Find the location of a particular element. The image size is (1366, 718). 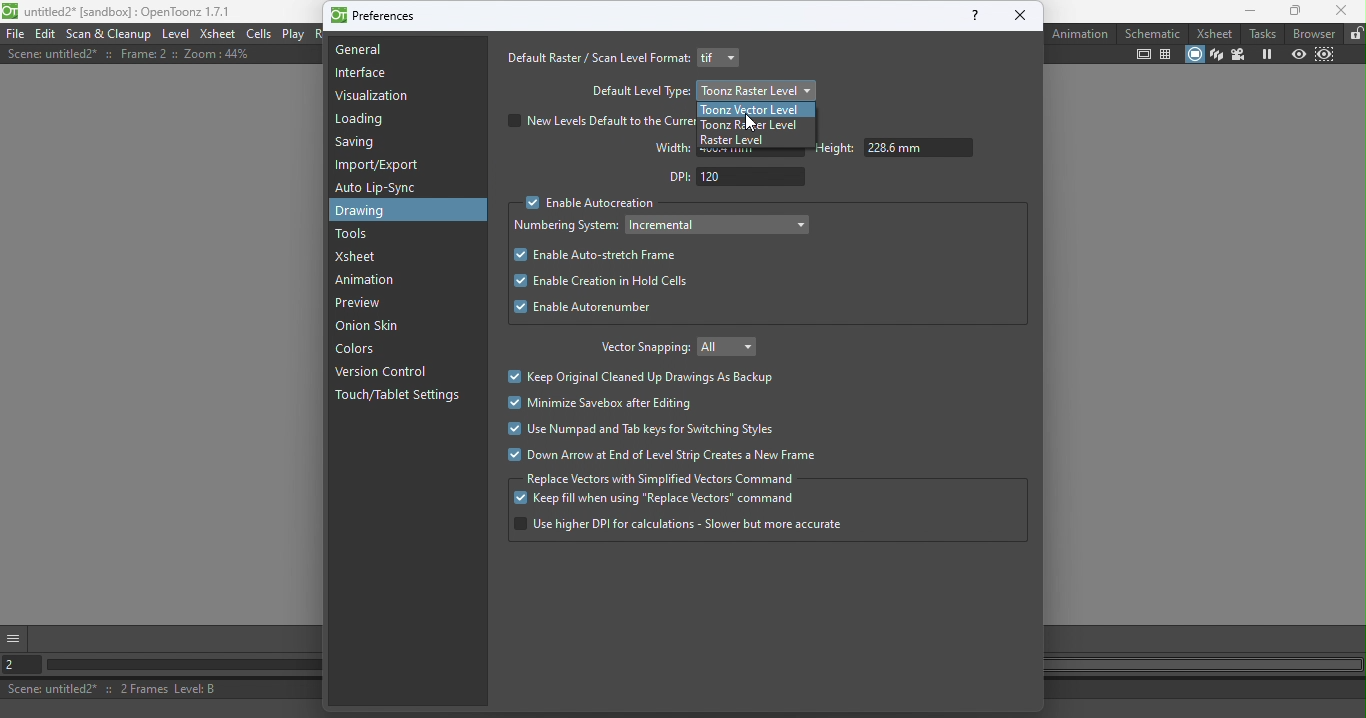

Cells is located at coordinates (259, 34).